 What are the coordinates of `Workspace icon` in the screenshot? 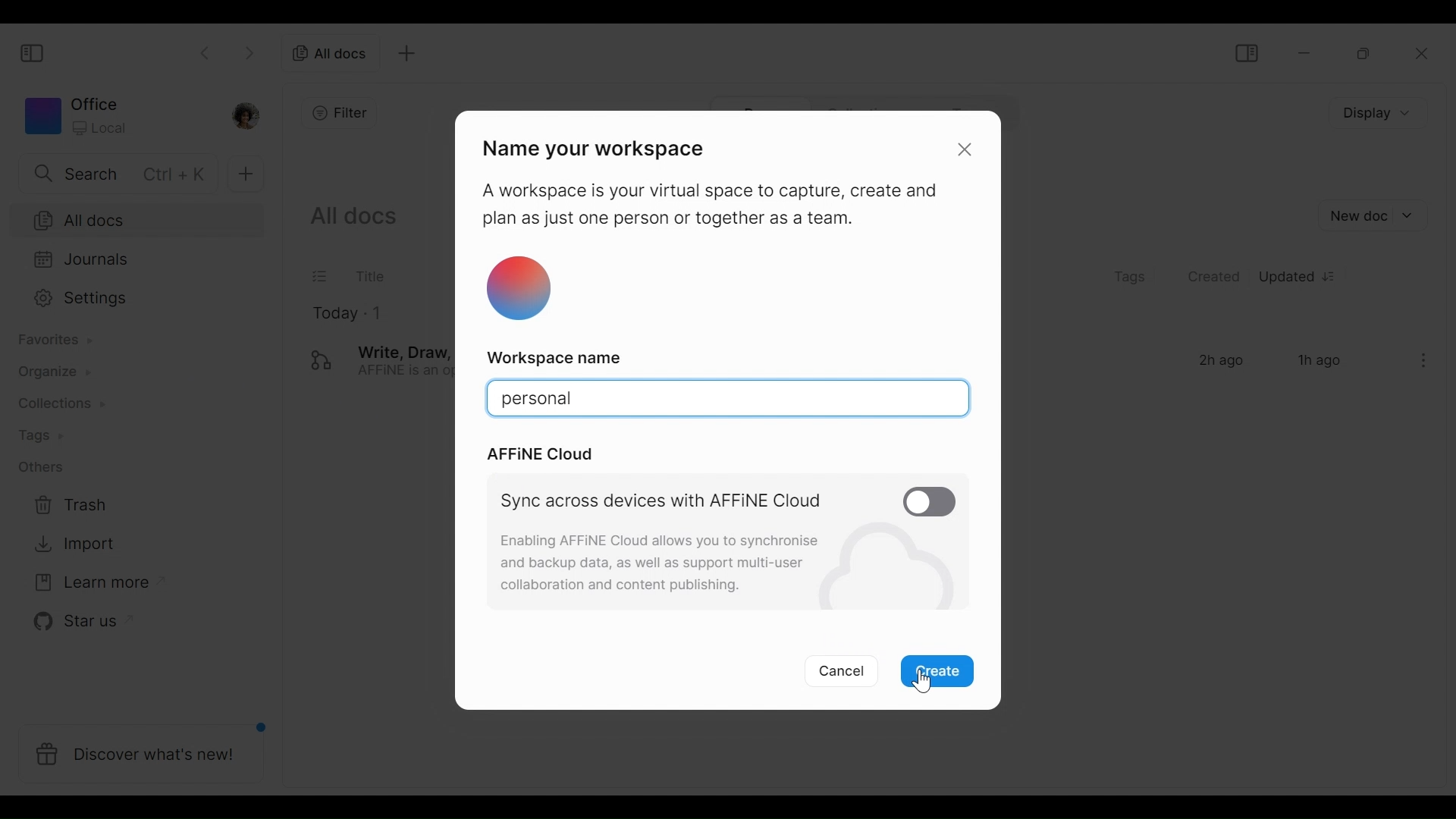 It's located at (118, 118).